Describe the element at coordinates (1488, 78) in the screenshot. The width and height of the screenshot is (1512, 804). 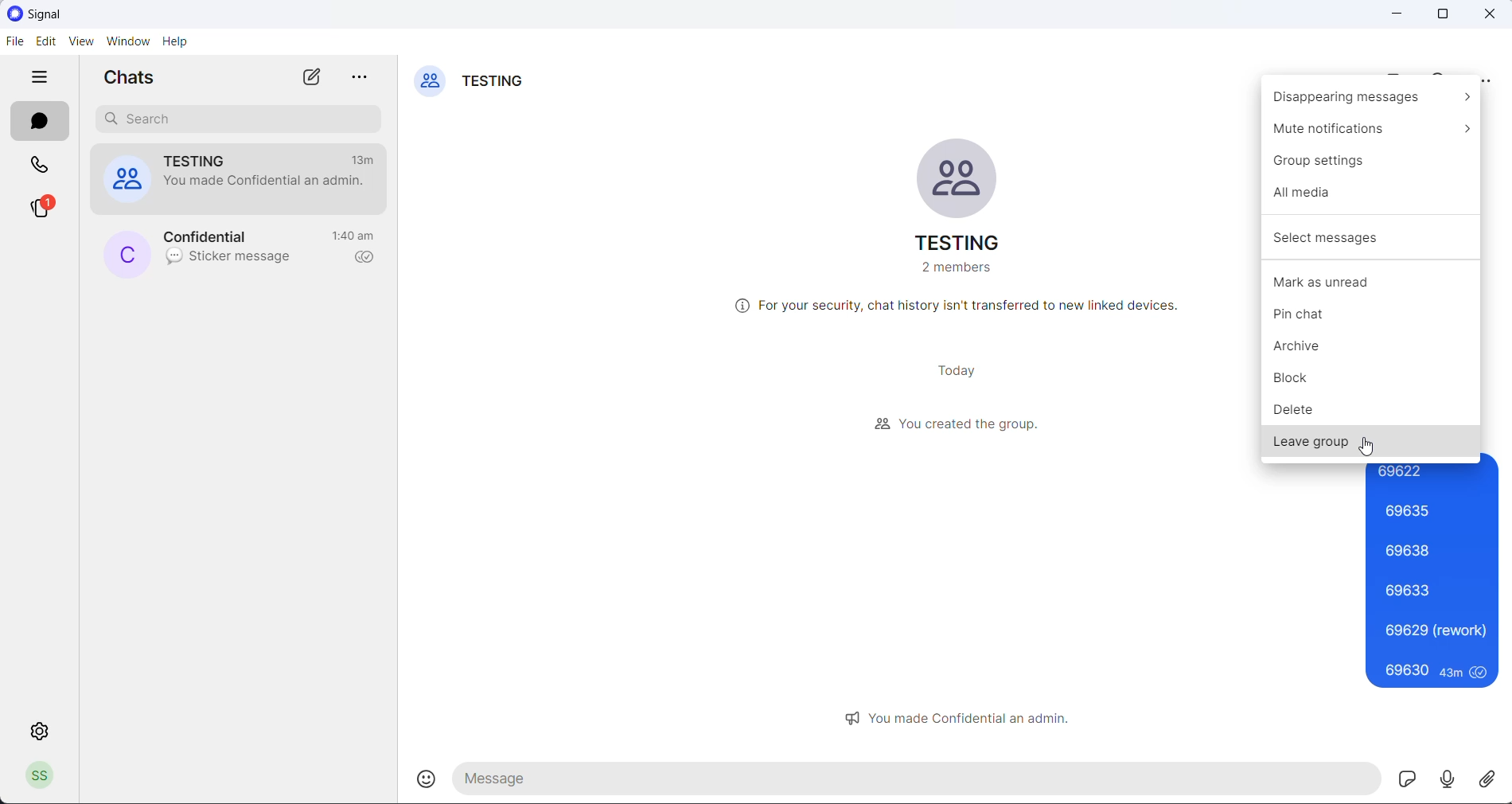
I see `more options` at that location.